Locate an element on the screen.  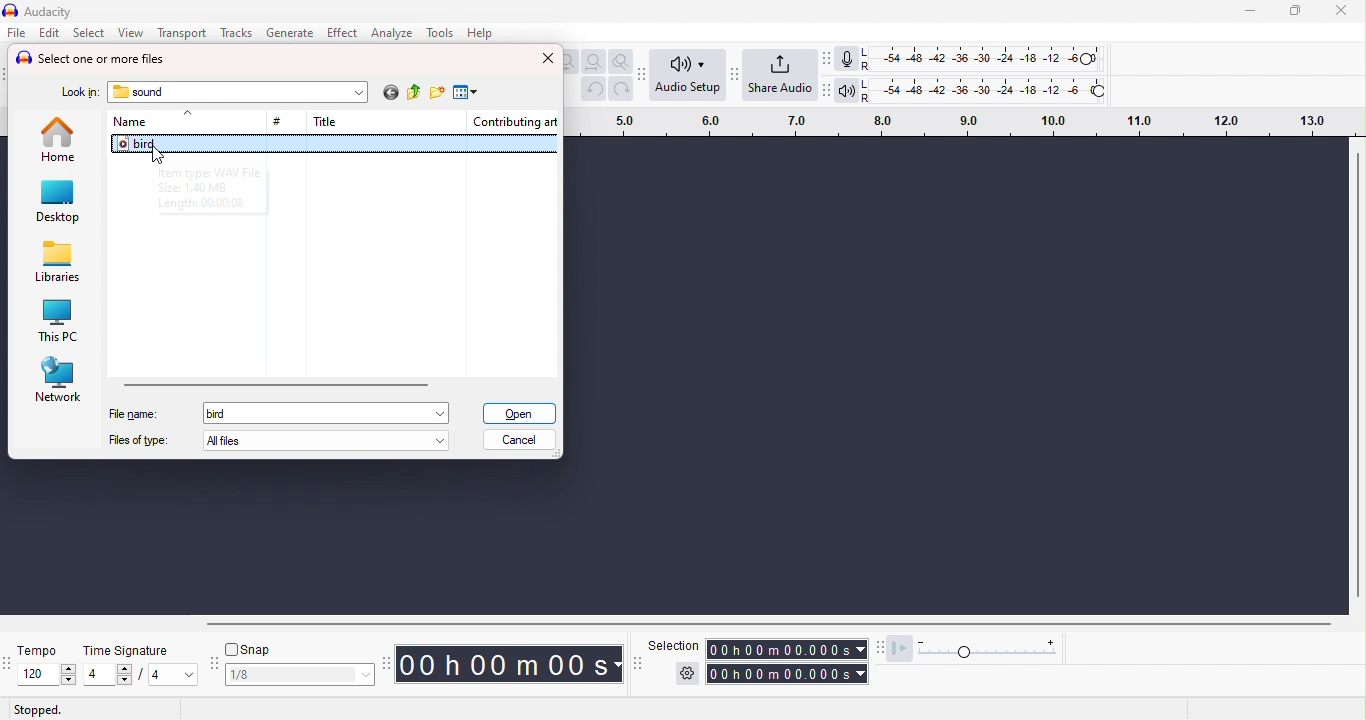
total time is located at coordinates (789, 674).